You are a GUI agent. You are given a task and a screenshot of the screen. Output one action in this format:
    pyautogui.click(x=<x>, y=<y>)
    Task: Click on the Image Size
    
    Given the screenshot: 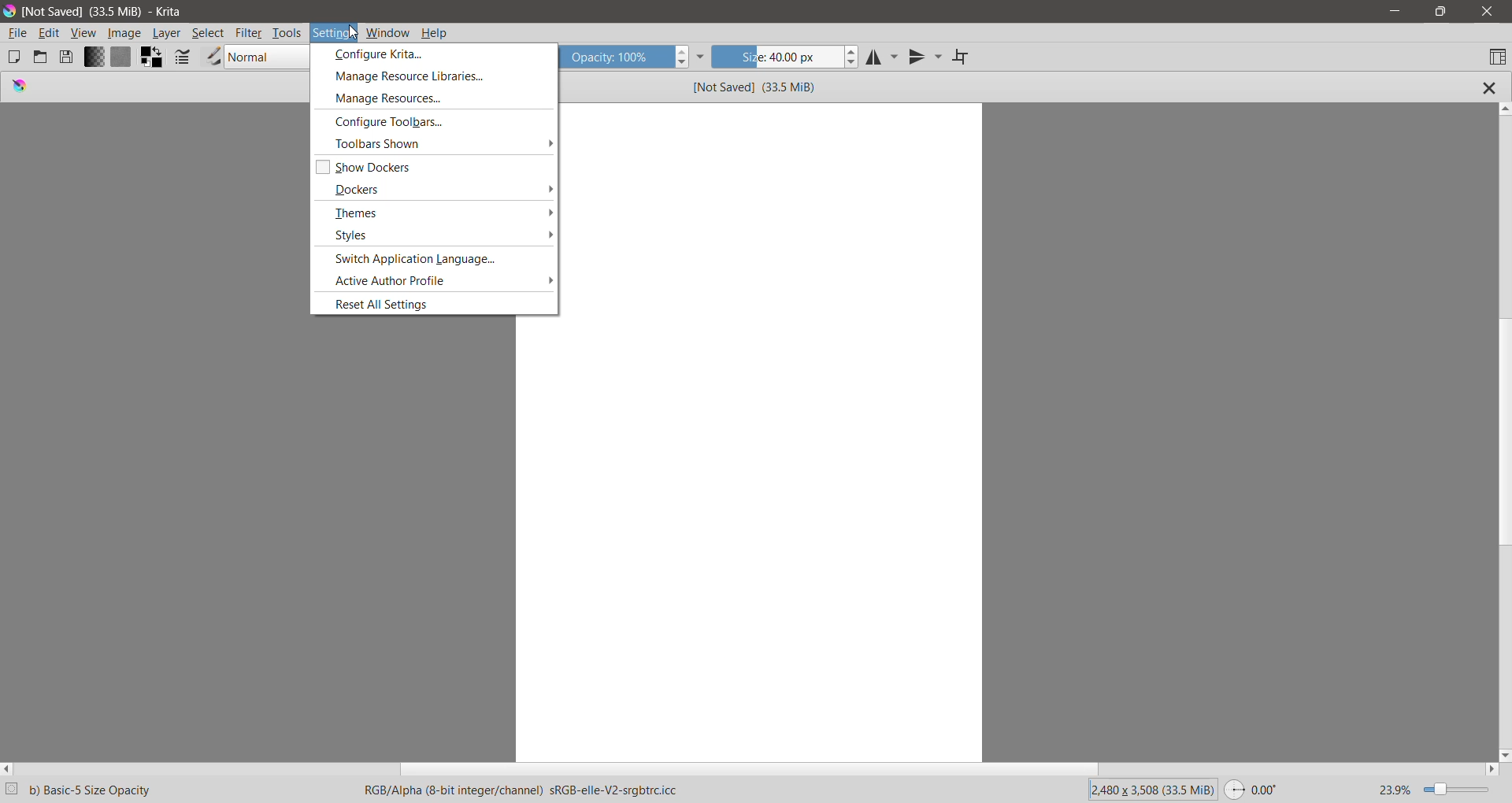 What is the action you would take?
    pyautogui.click(x=1124, y=790)
    